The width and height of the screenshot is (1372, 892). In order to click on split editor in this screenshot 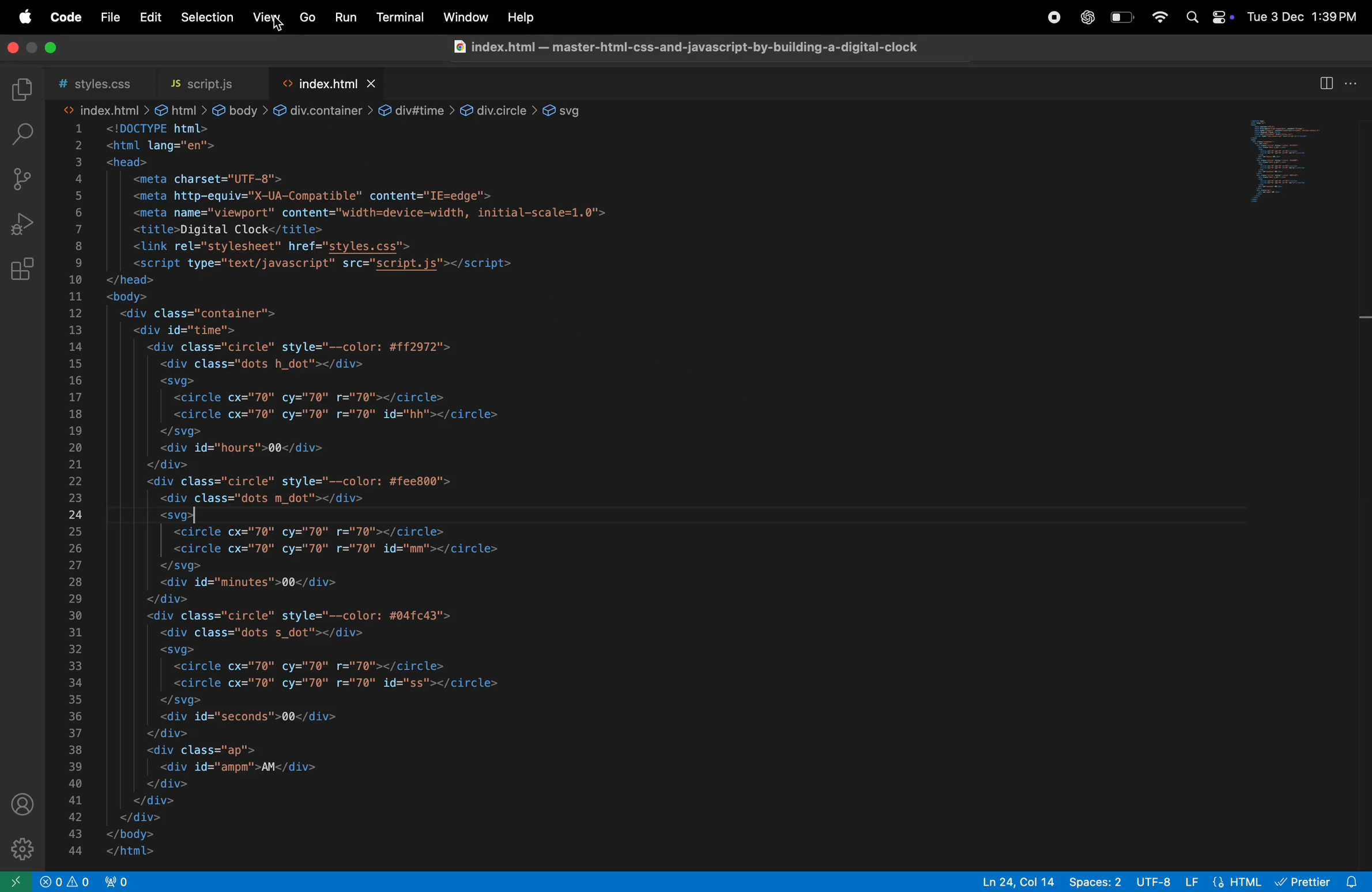, I will do `click(1325, 83)`.